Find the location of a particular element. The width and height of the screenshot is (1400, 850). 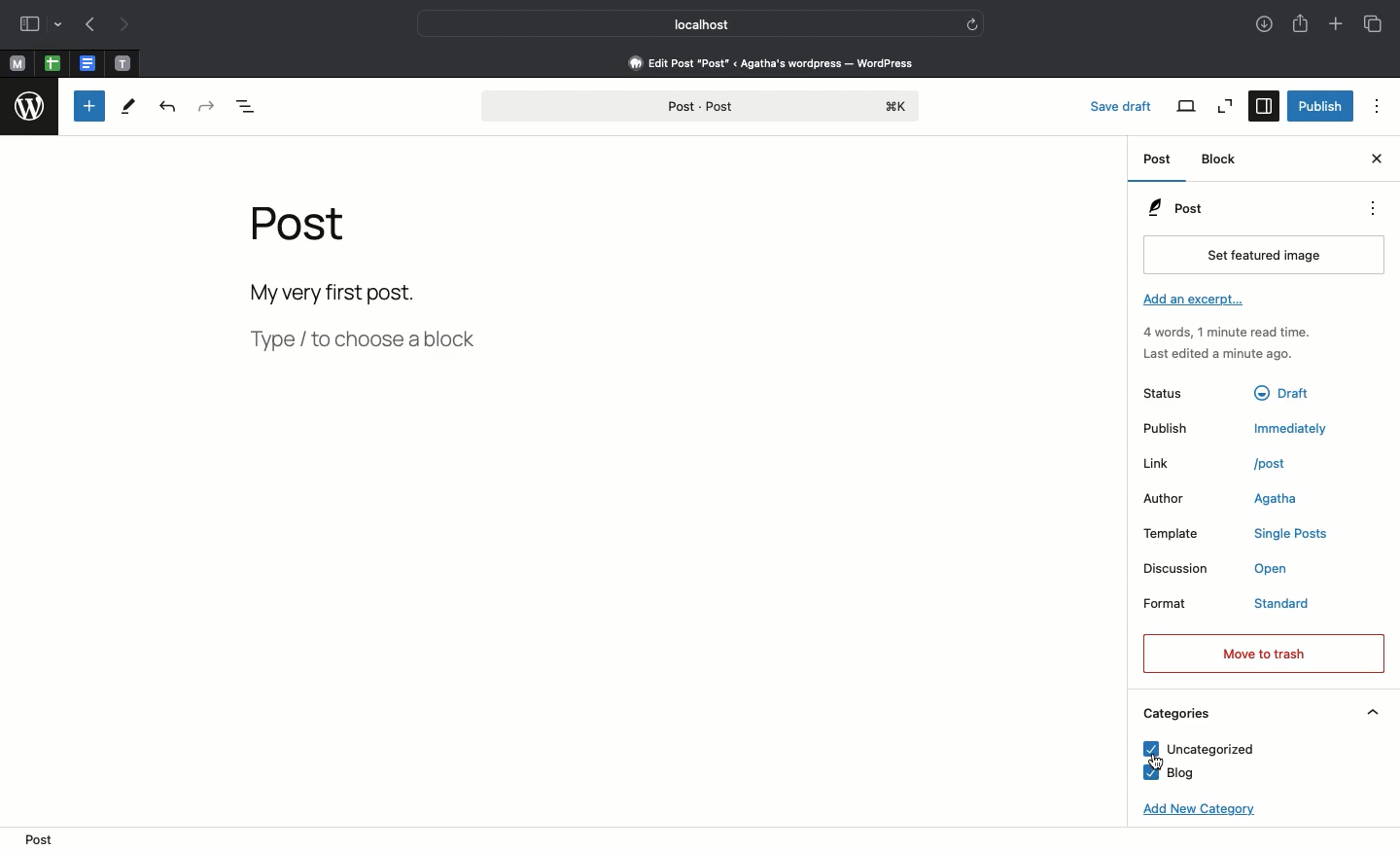

Undo is located at coordinates (167, 109).